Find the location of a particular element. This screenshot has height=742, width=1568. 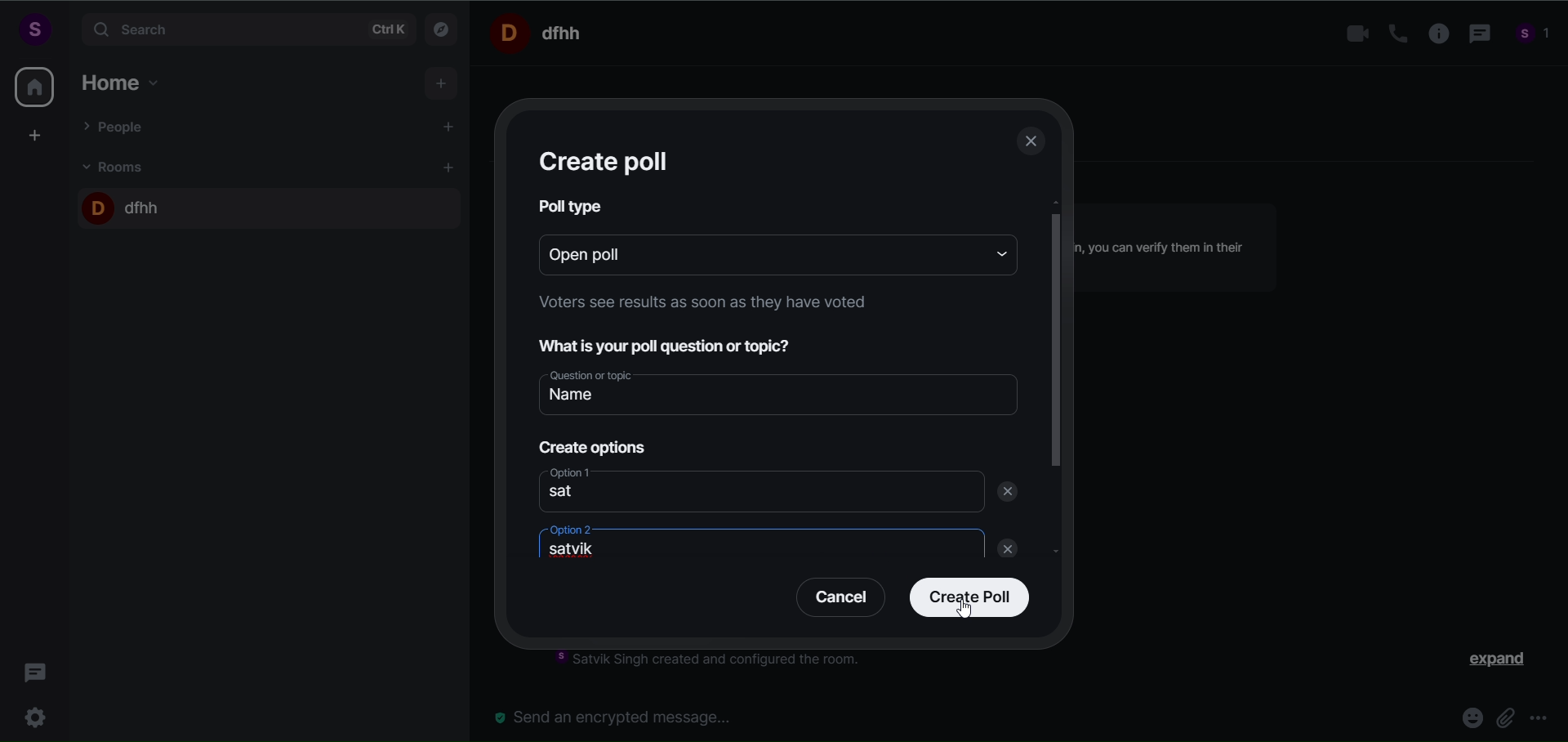

user is located at coordinates (33, 29).